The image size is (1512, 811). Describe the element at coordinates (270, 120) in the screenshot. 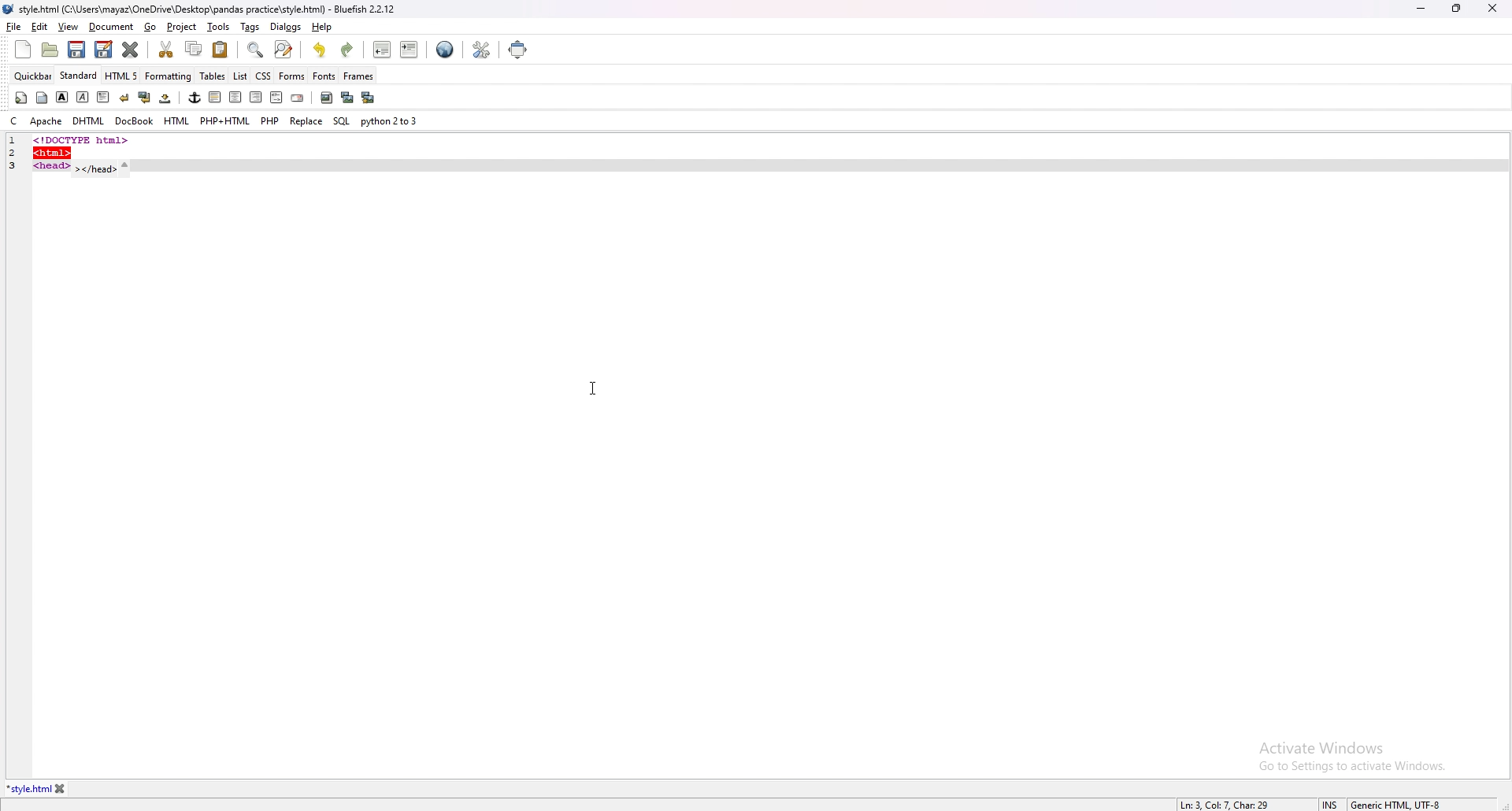

I see `php` at that location.